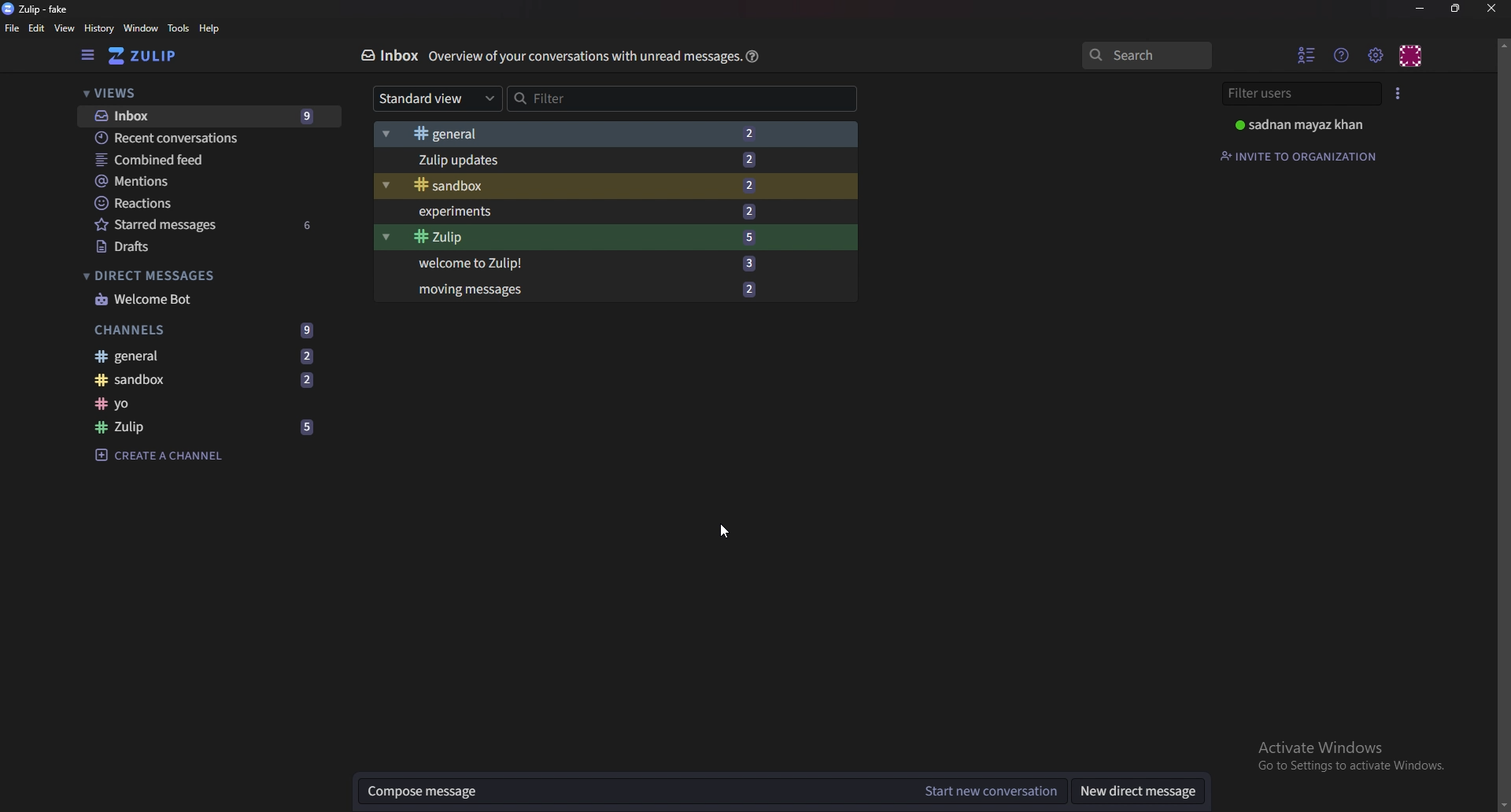 The image size is (1511, 812). I want to click on window, so click(141, 28).